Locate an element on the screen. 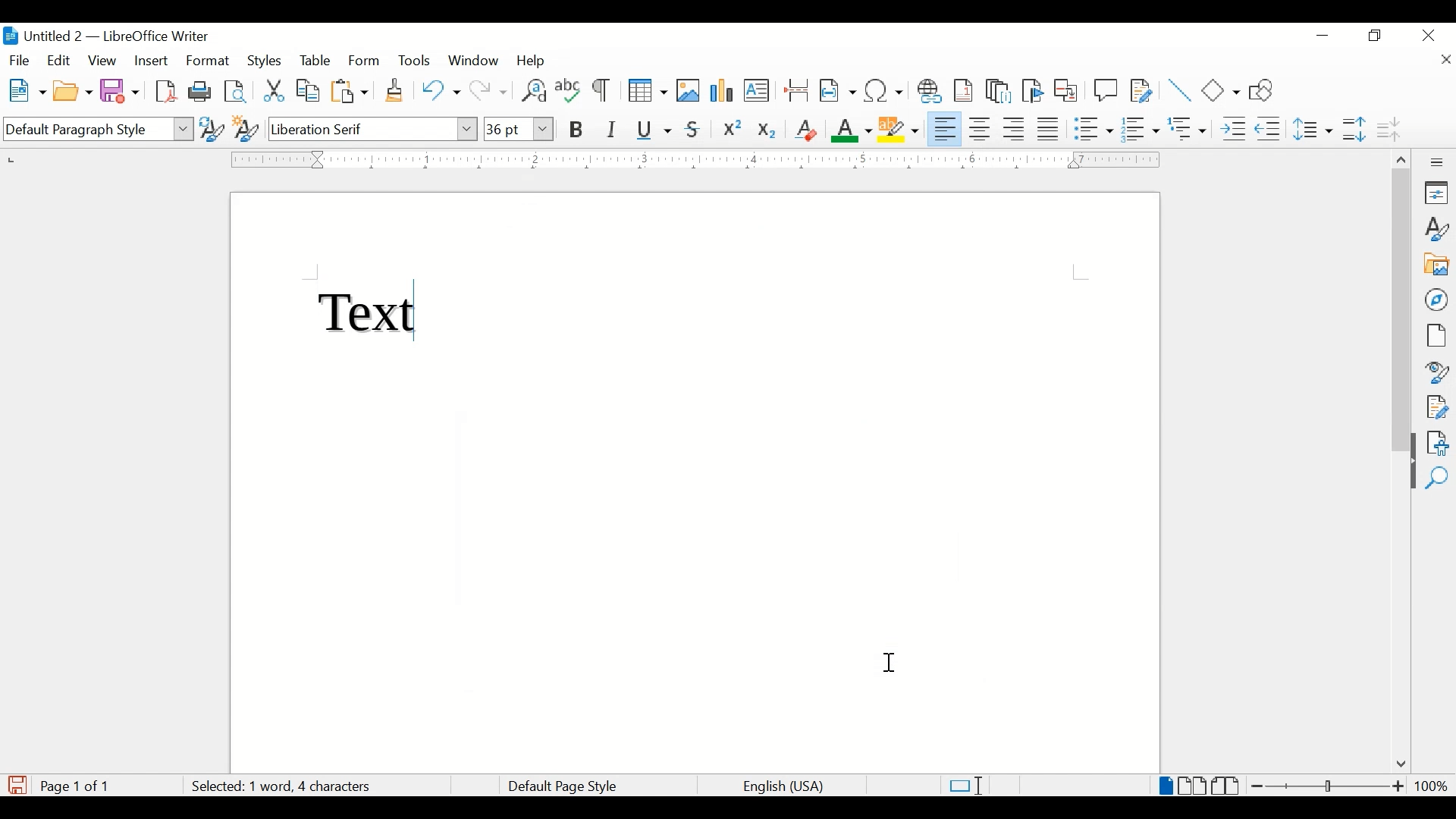  minimize is located at coordinates (1324, 36).